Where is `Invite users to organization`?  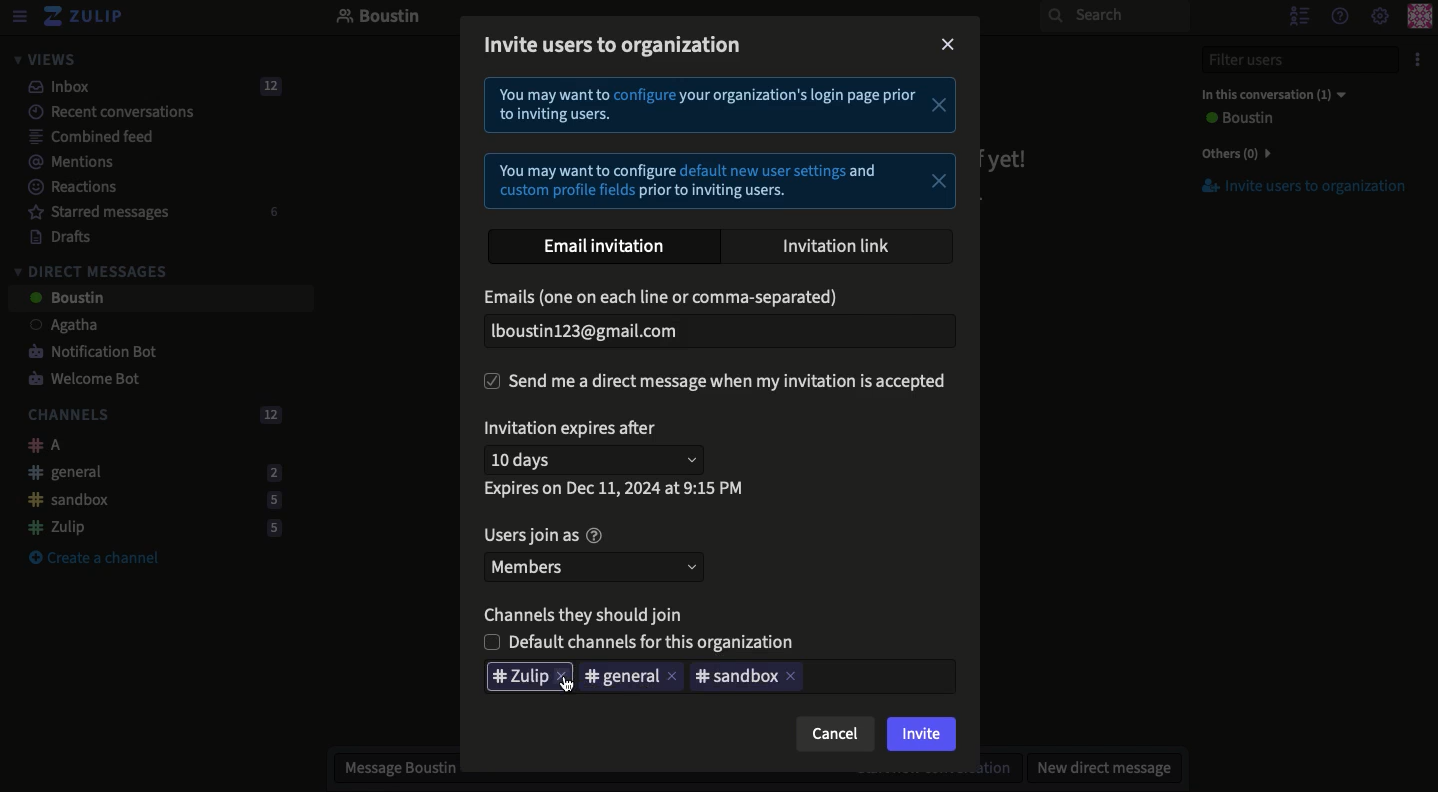
Invite users to organization is located at coordinates (618, 44).